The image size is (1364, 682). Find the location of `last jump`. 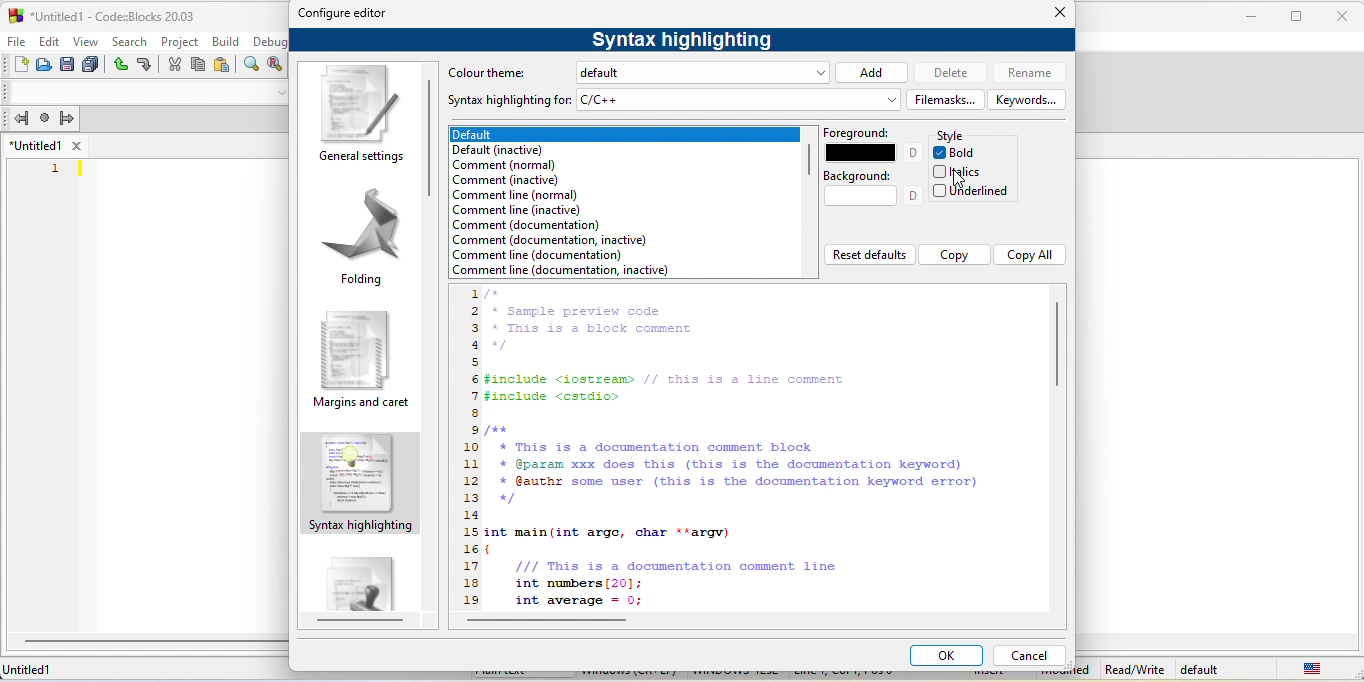

last jump is located at coordinates (45, 117).